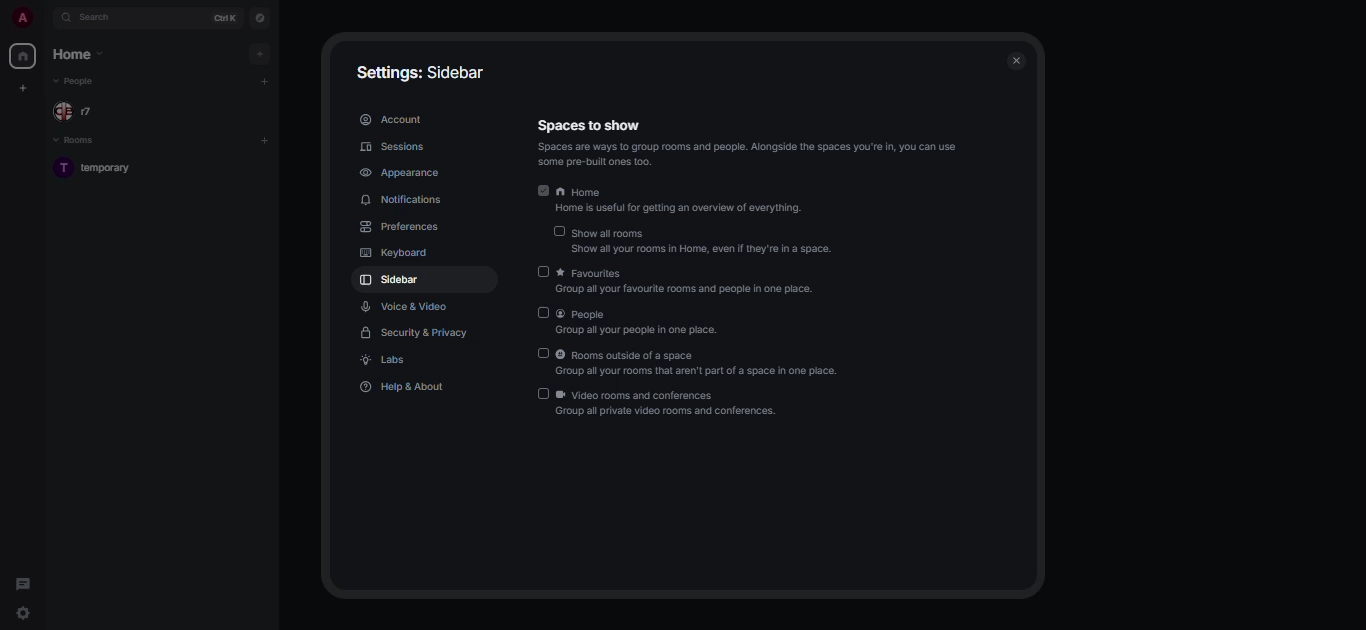 This screenshot has width=1366, height=630. Describe the element at coordinates (22, 614) in the screenshot. I see `quick settings` at that location.